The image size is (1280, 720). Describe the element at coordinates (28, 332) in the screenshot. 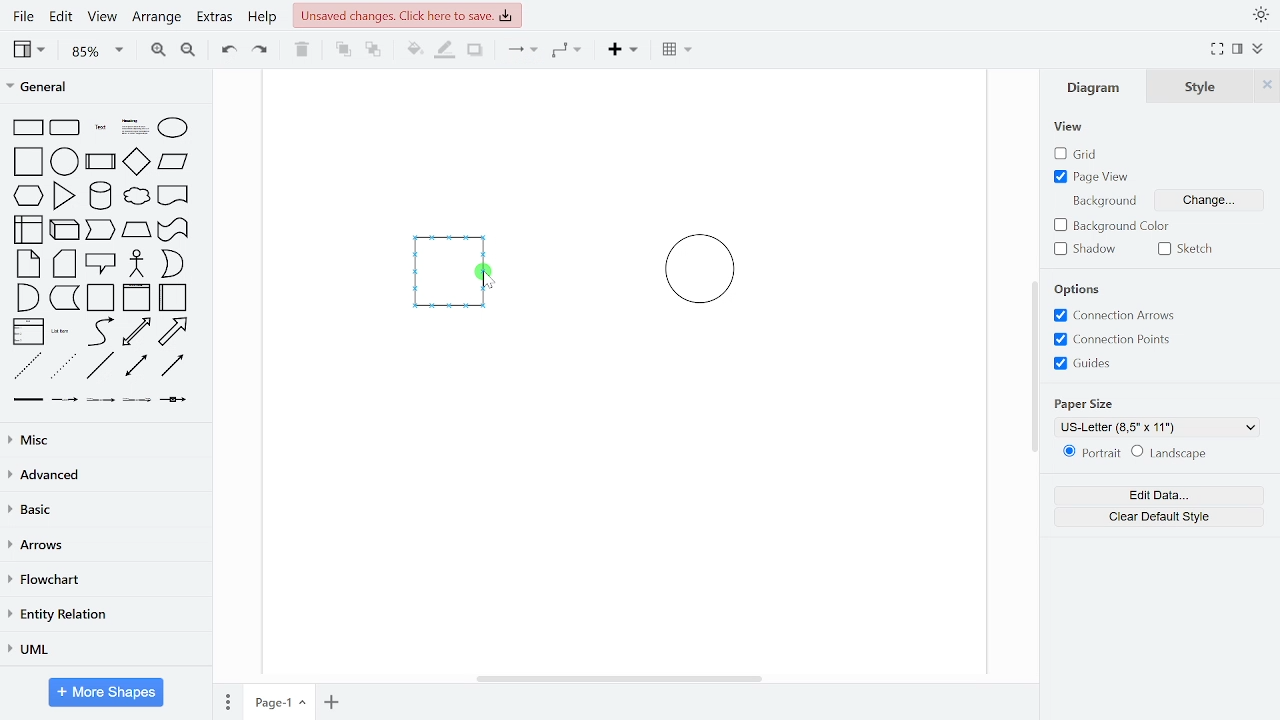

I see `list` at that location.